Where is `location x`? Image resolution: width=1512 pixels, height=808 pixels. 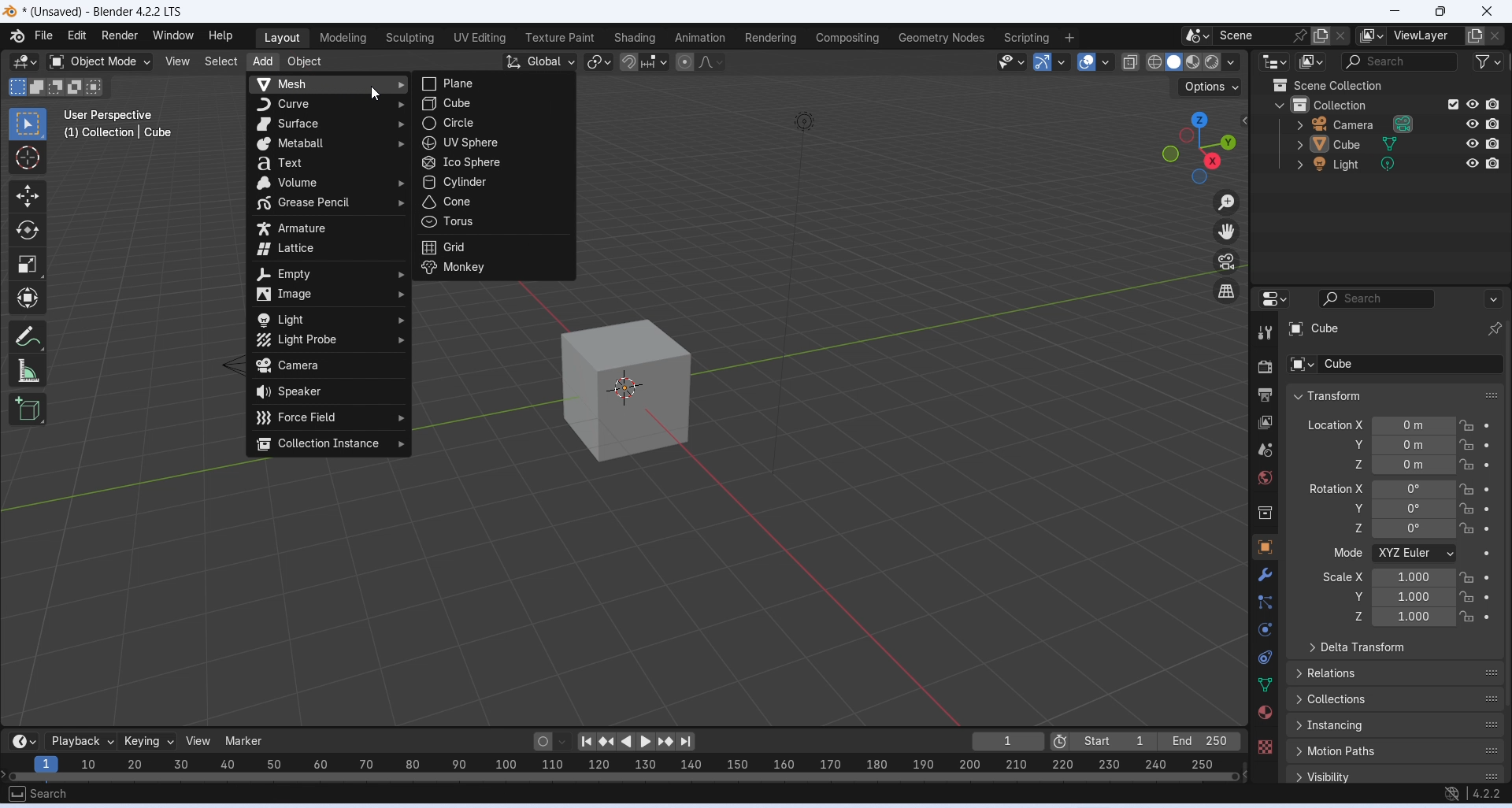 location x is located at coordinates (1333, 424).